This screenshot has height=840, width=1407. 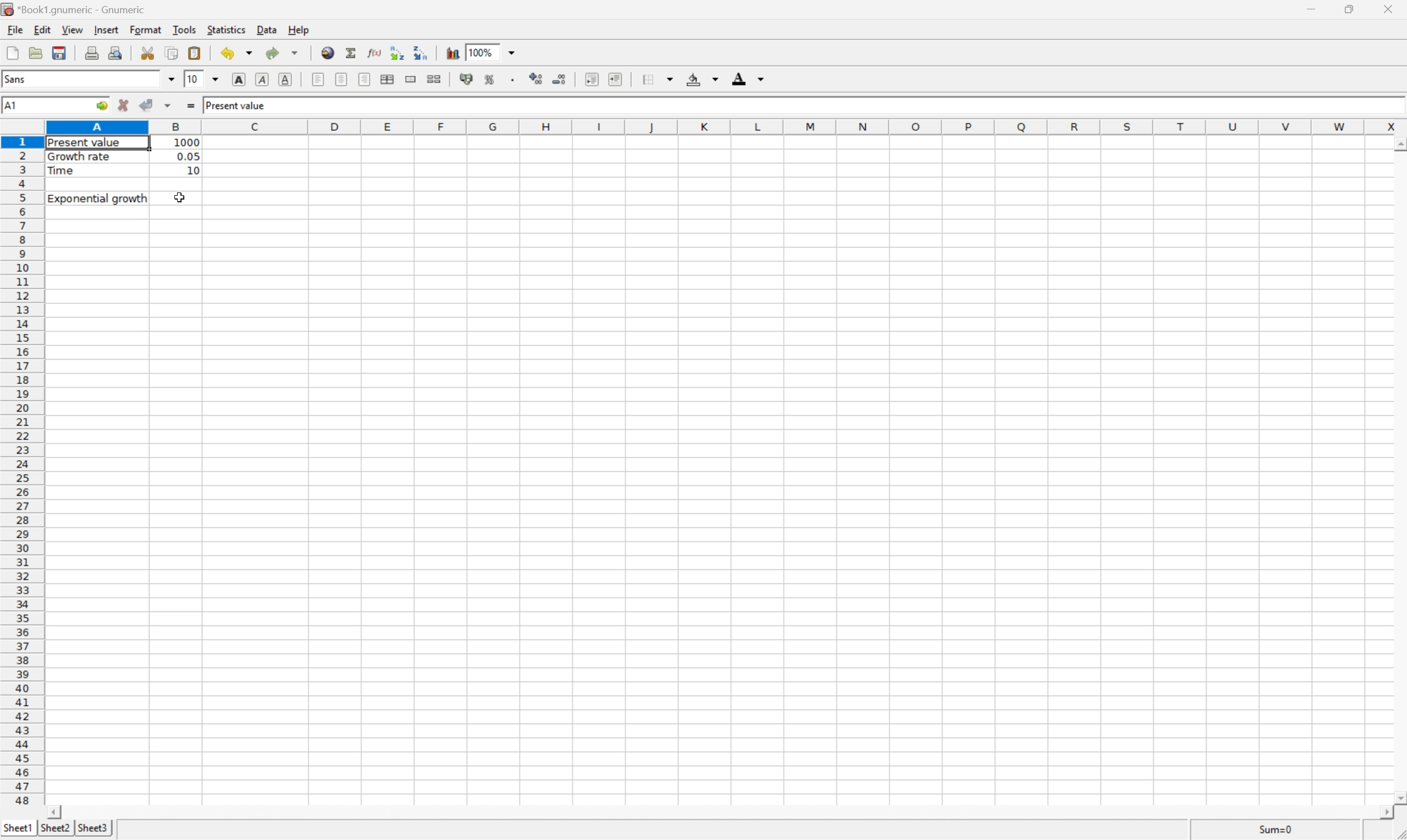 I want to click on Scroll Left, so click(x=57, y=811).